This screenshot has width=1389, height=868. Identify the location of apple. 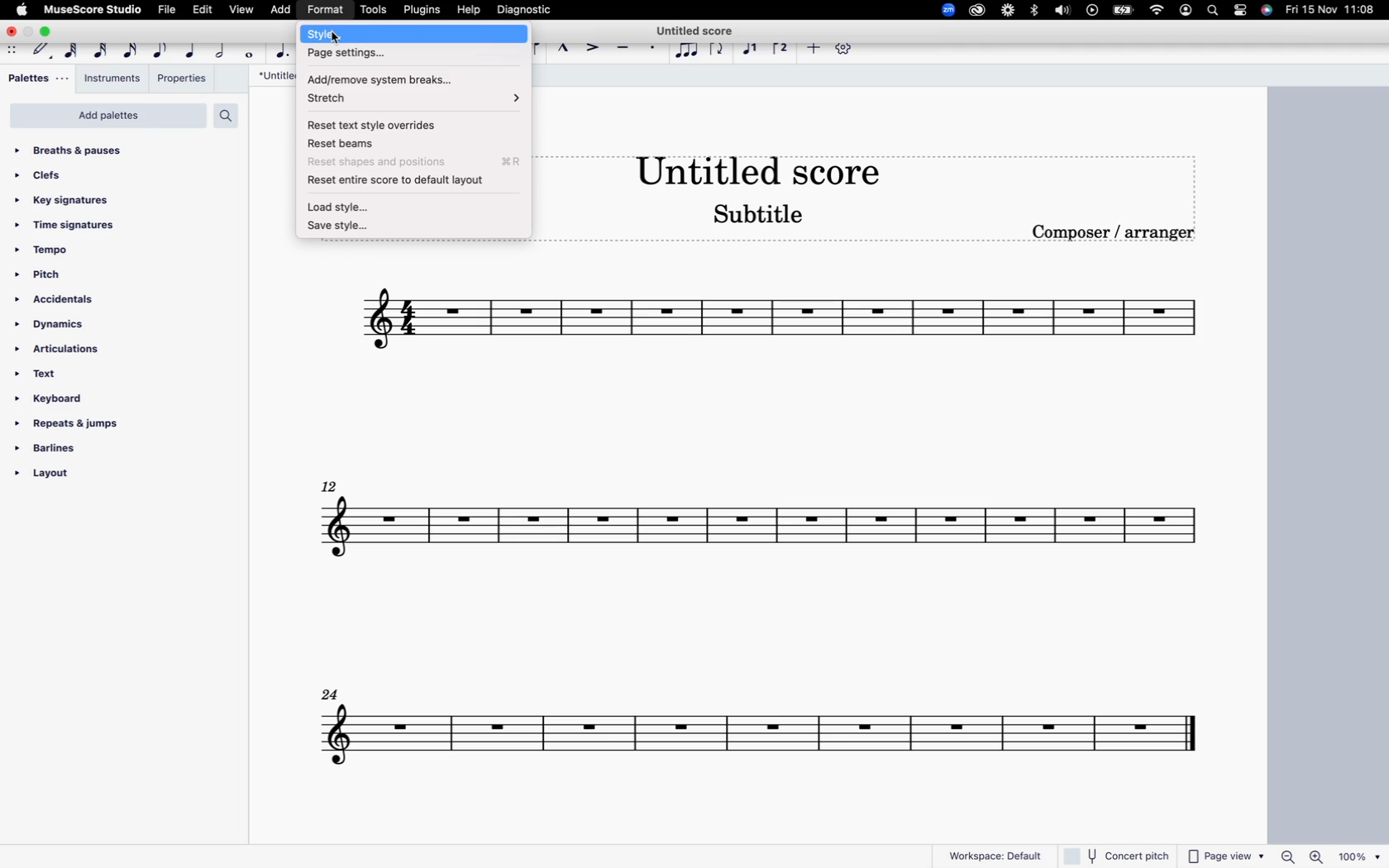
(22, 9).